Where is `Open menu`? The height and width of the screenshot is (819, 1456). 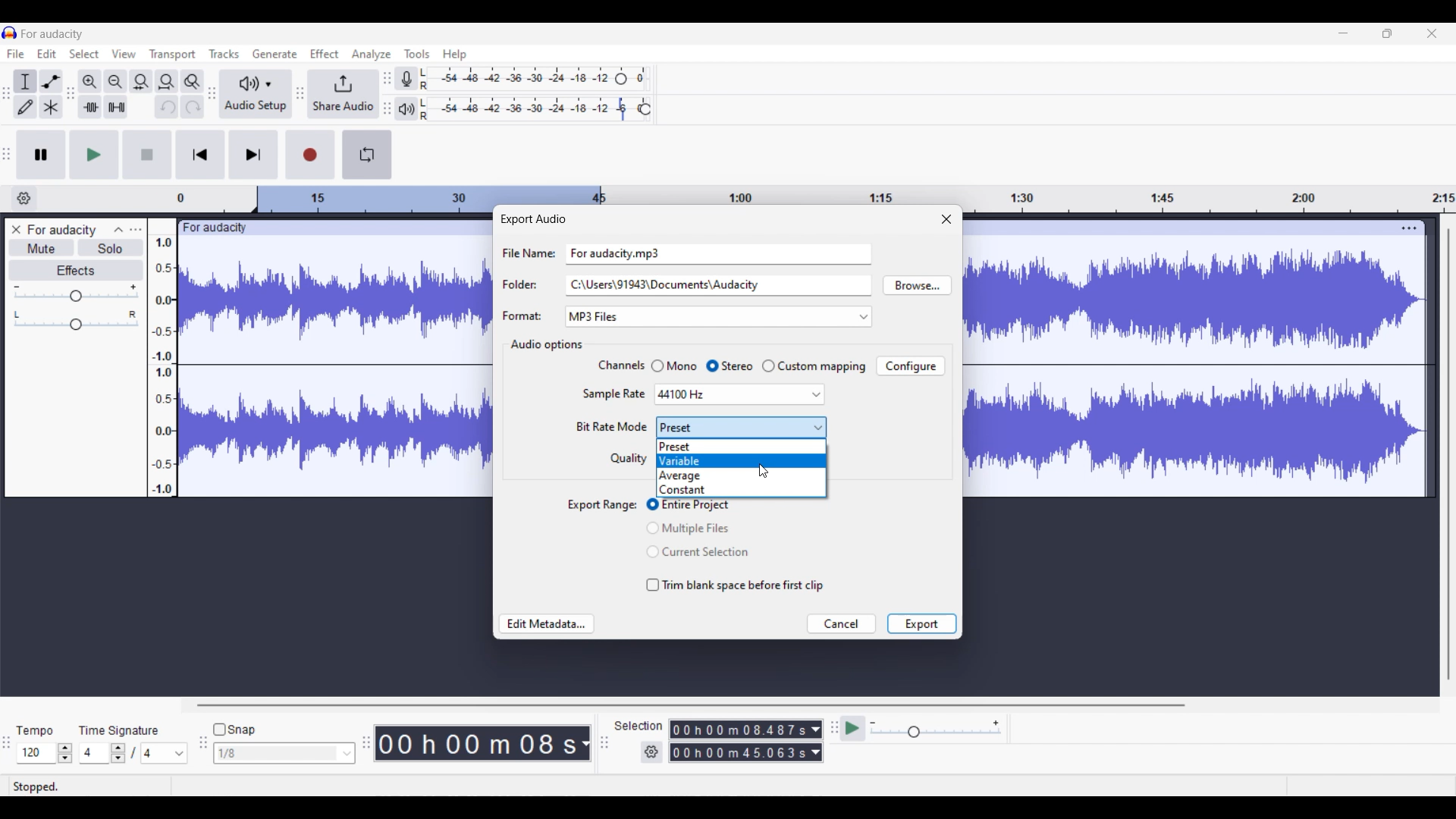 Open menu is located at coordinates (136, 229).